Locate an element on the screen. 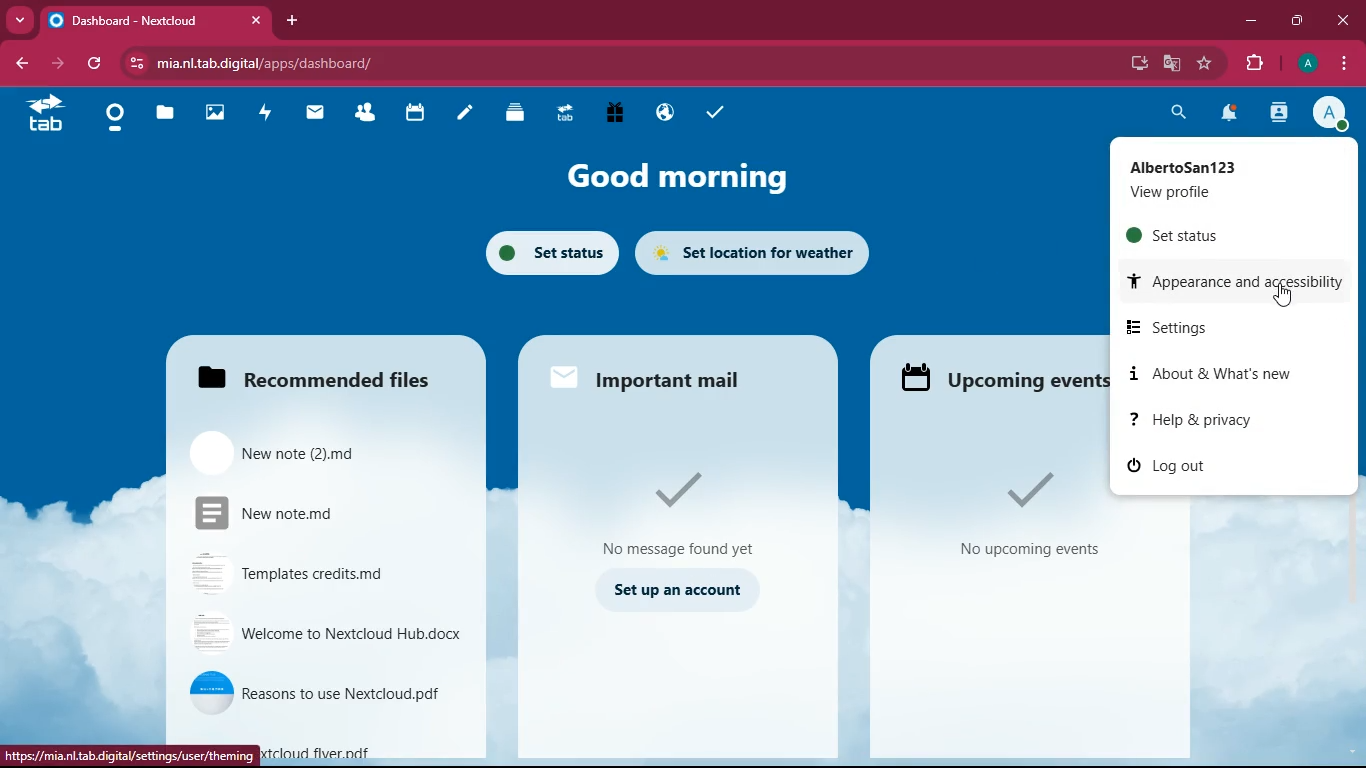  set up an account is located at coordinates (683, 592).